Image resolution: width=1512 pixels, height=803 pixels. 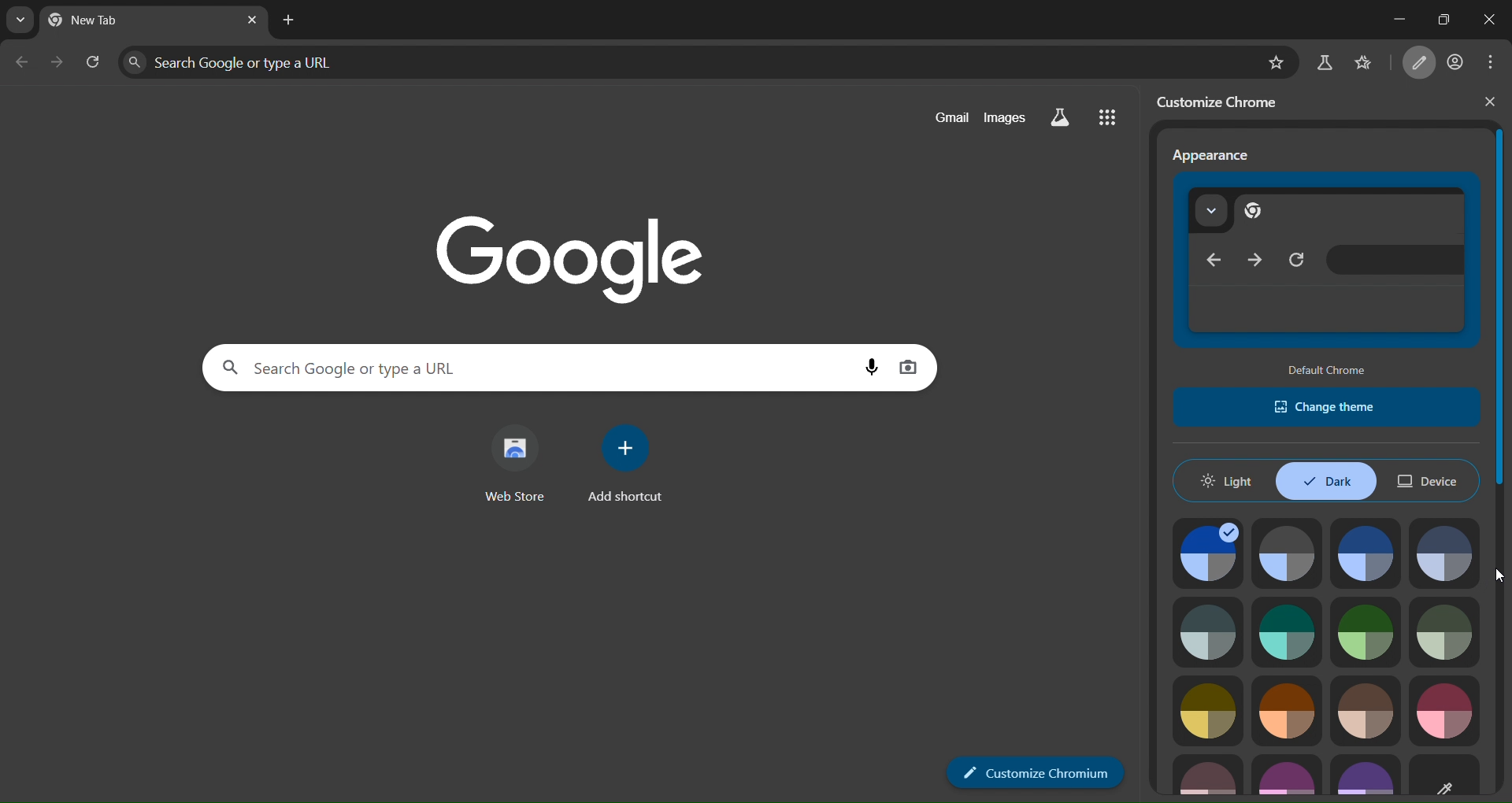 I want to click on search tabs, so click(x=16, y=20).